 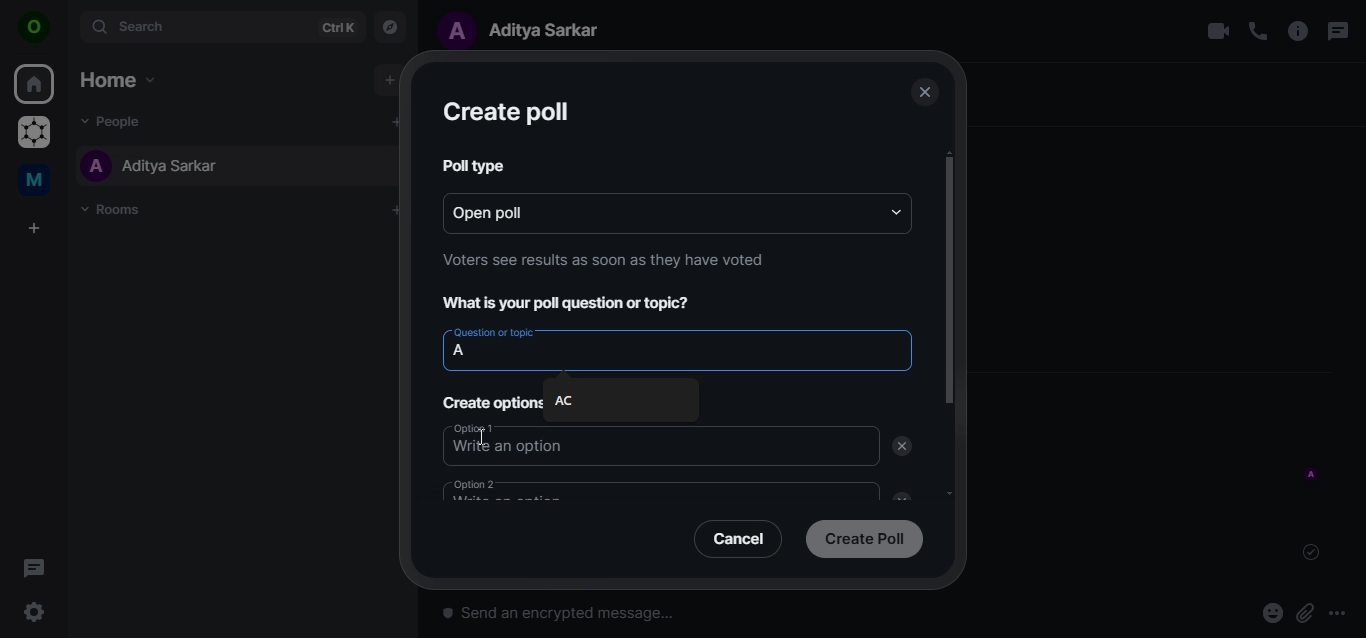 I want to click on people, so click(x=118, y=120).